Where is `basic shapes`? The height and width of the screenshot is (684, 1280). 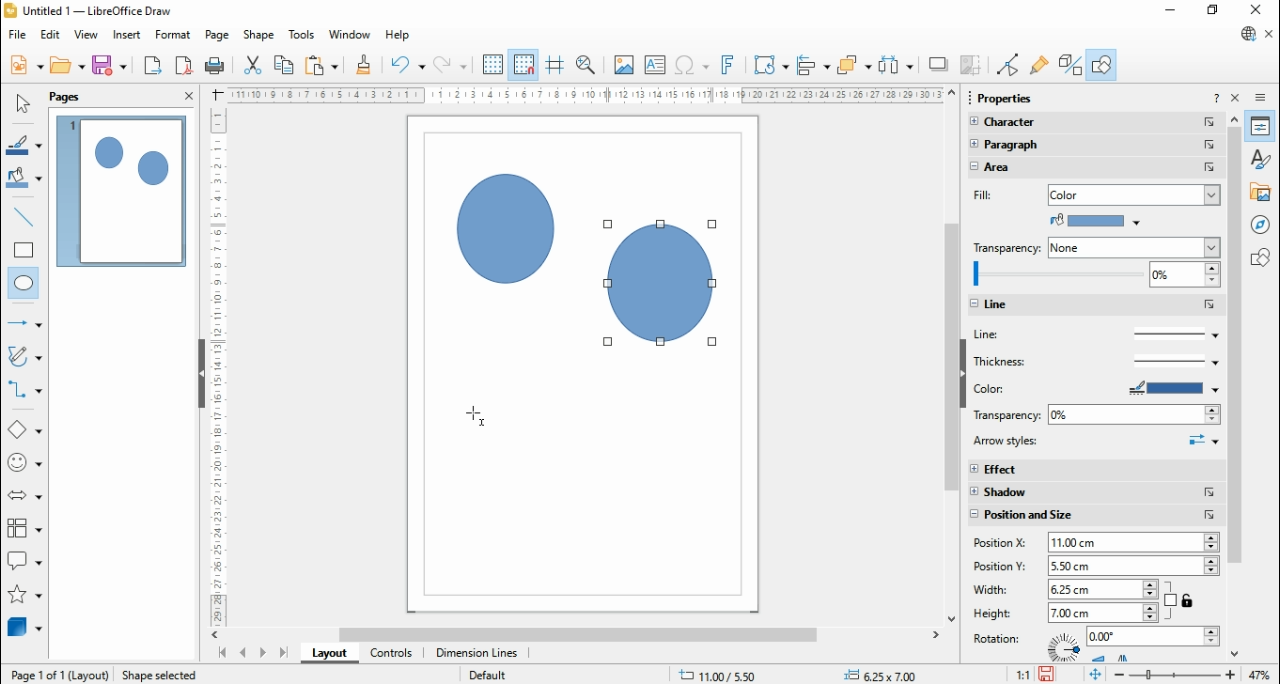 basic shapes is located at coordinates (25, 432).